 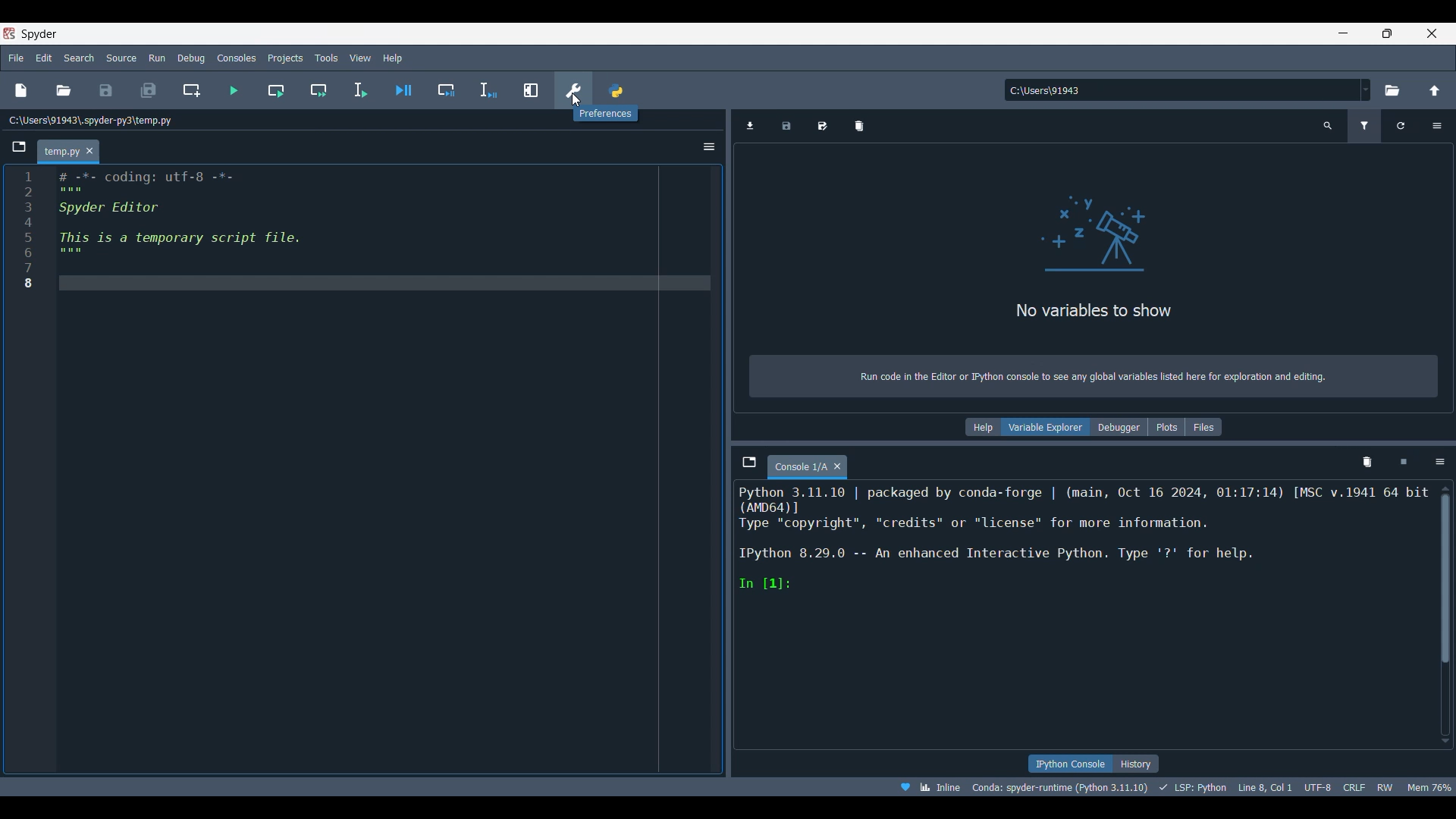 What do you see at coordinates (1181, 90) in the screenshot?
I see `Type in folder location` at bounding box center [1181, 90].